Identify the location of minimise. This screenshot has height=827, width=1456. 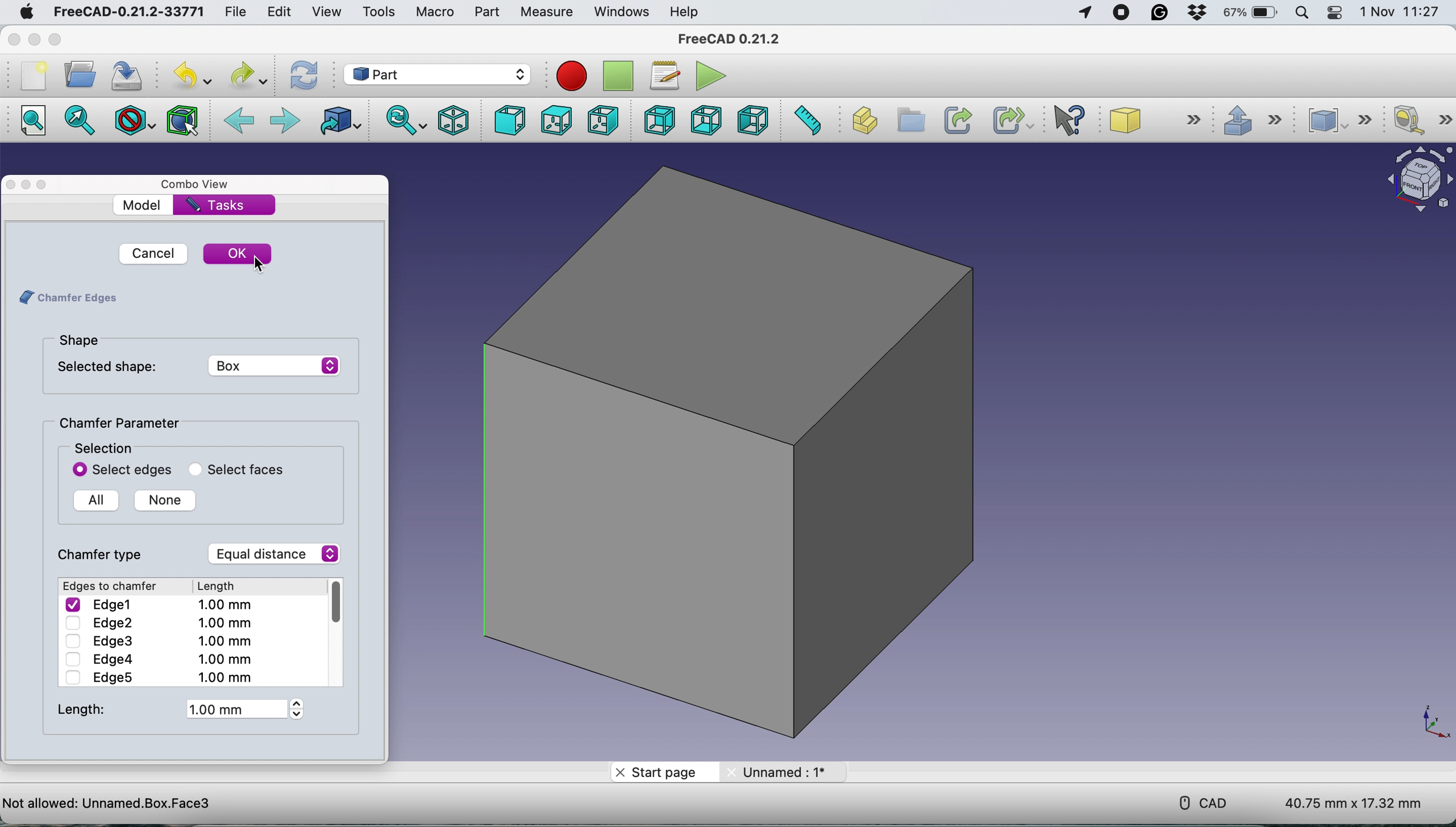
(35, 40).